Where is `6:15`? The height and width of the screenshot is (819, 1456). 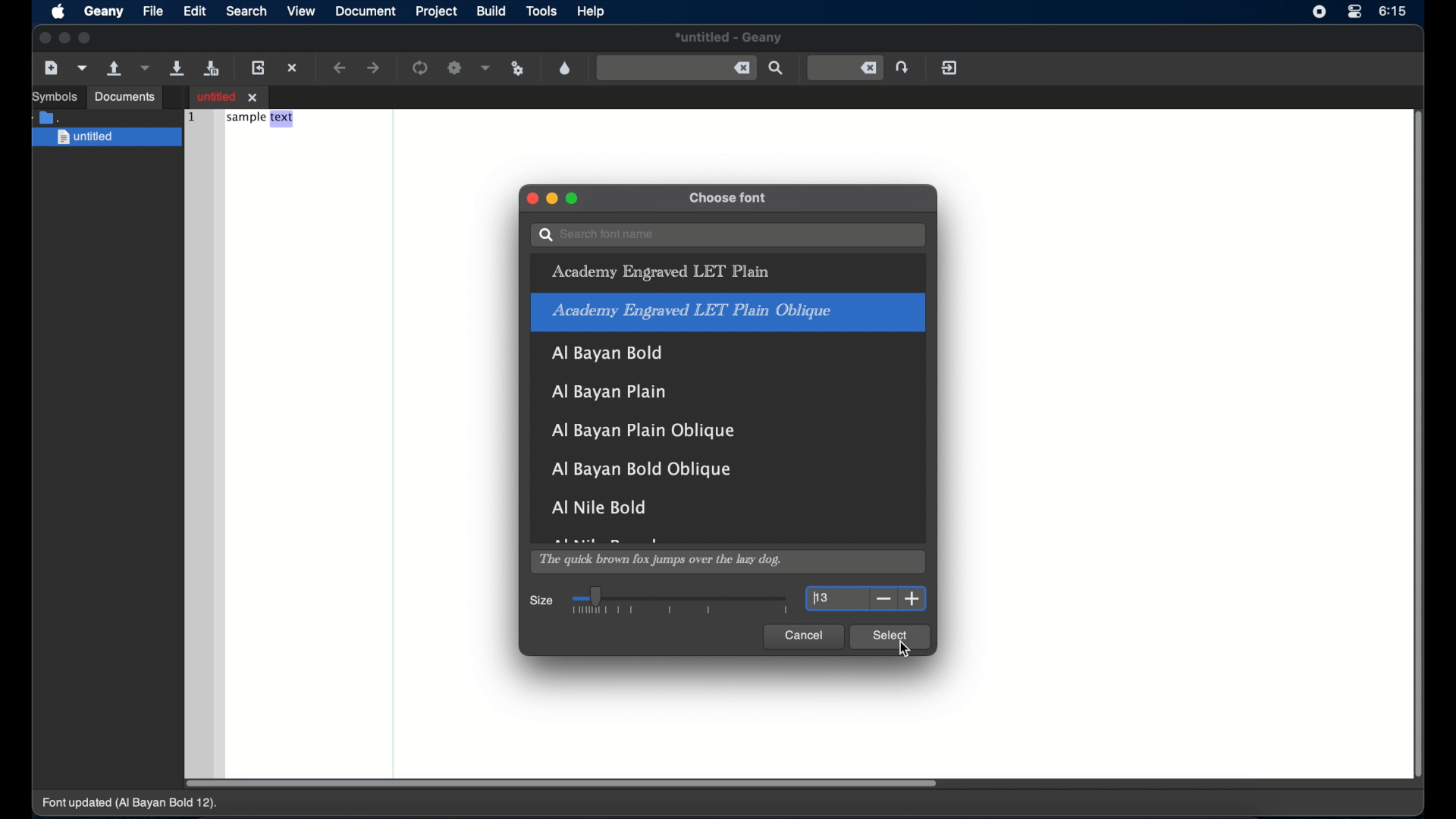 6:15 is located at coordinates (1393, 11).